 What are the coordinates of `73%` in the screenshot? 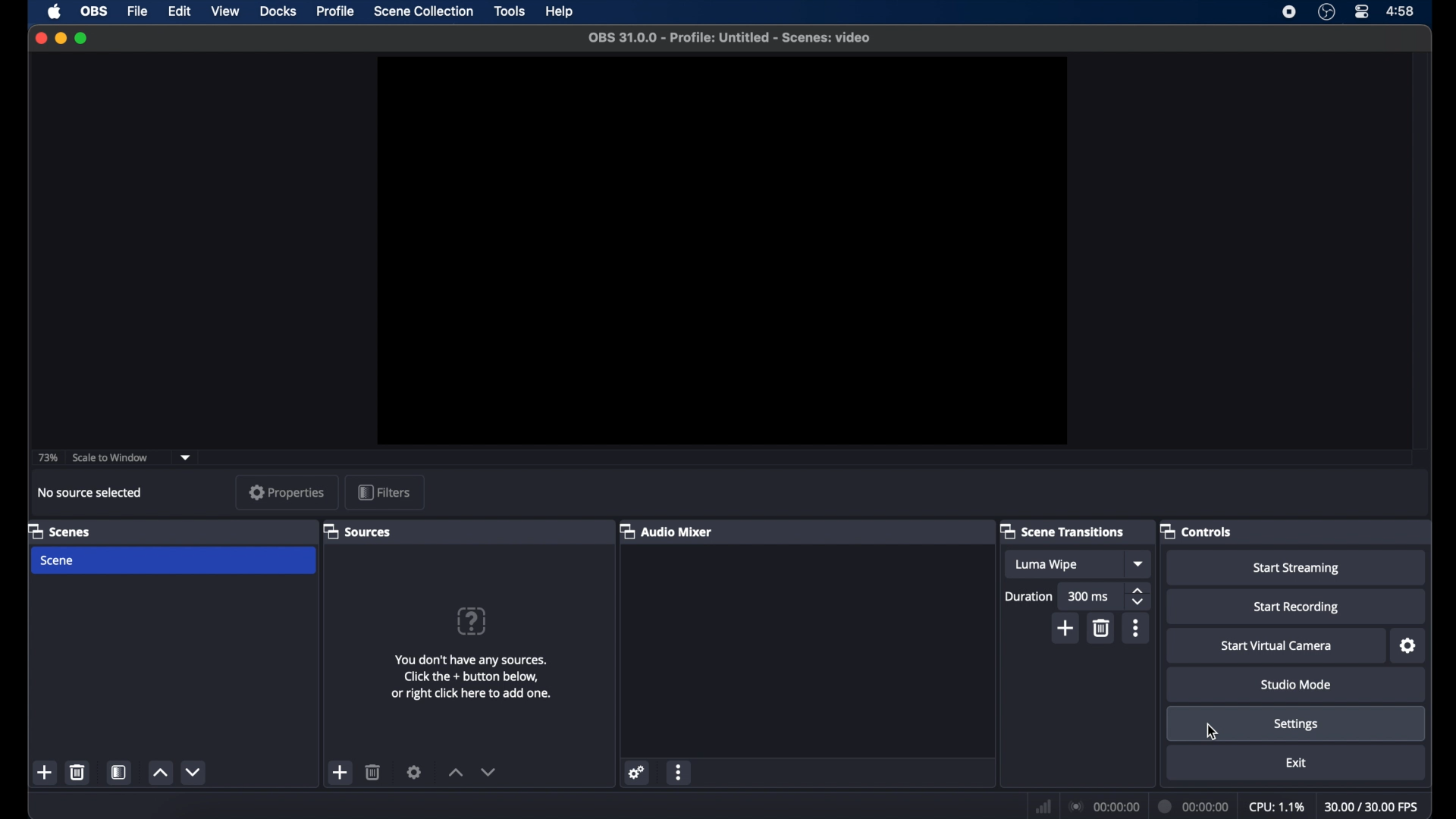 It's located at (47, 457).